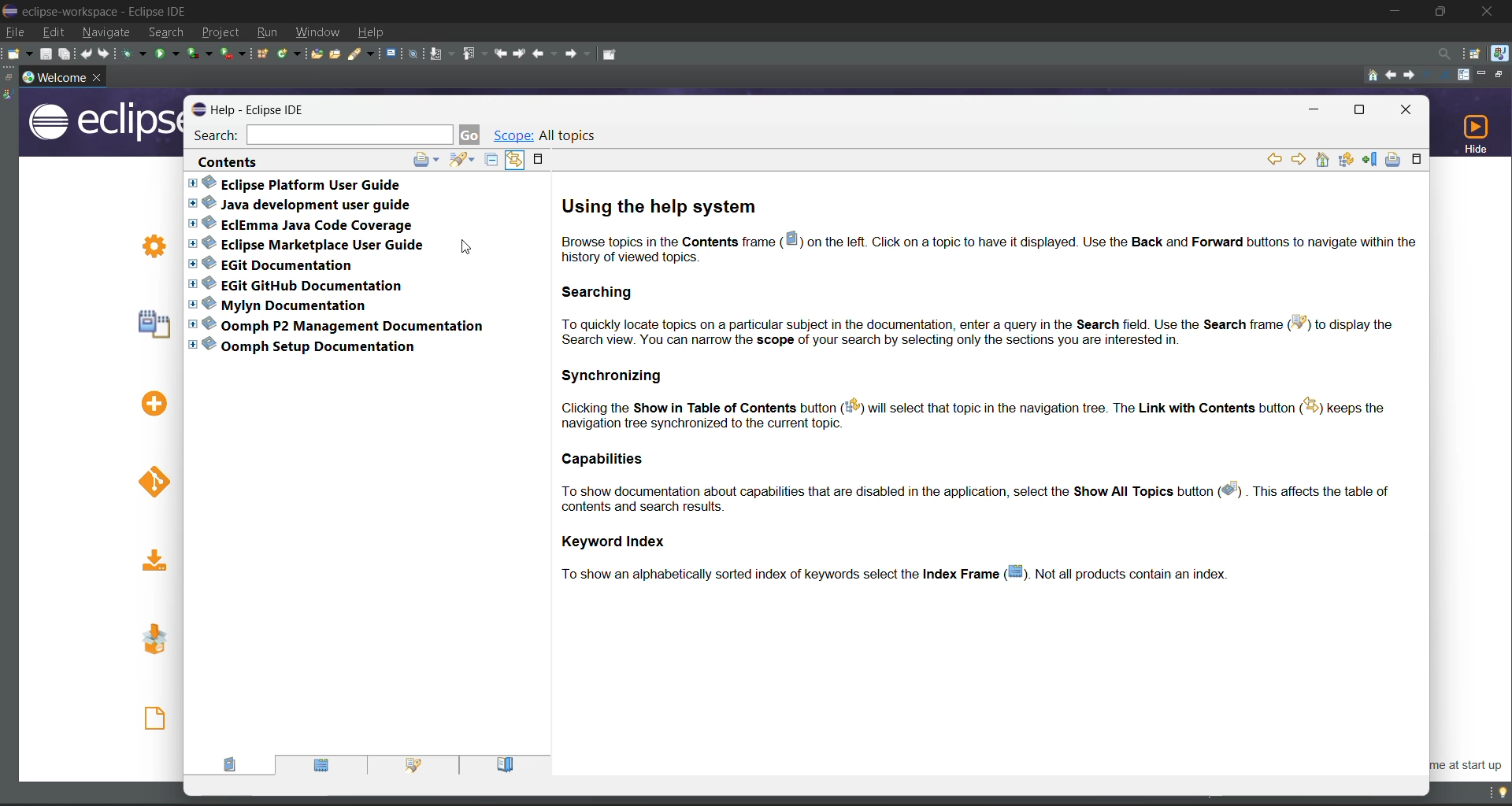 The height and width of the screenshot is (806, 1512). Describe the element at coordinates (1395, 159) in the screenshot. I see `print` at that location.